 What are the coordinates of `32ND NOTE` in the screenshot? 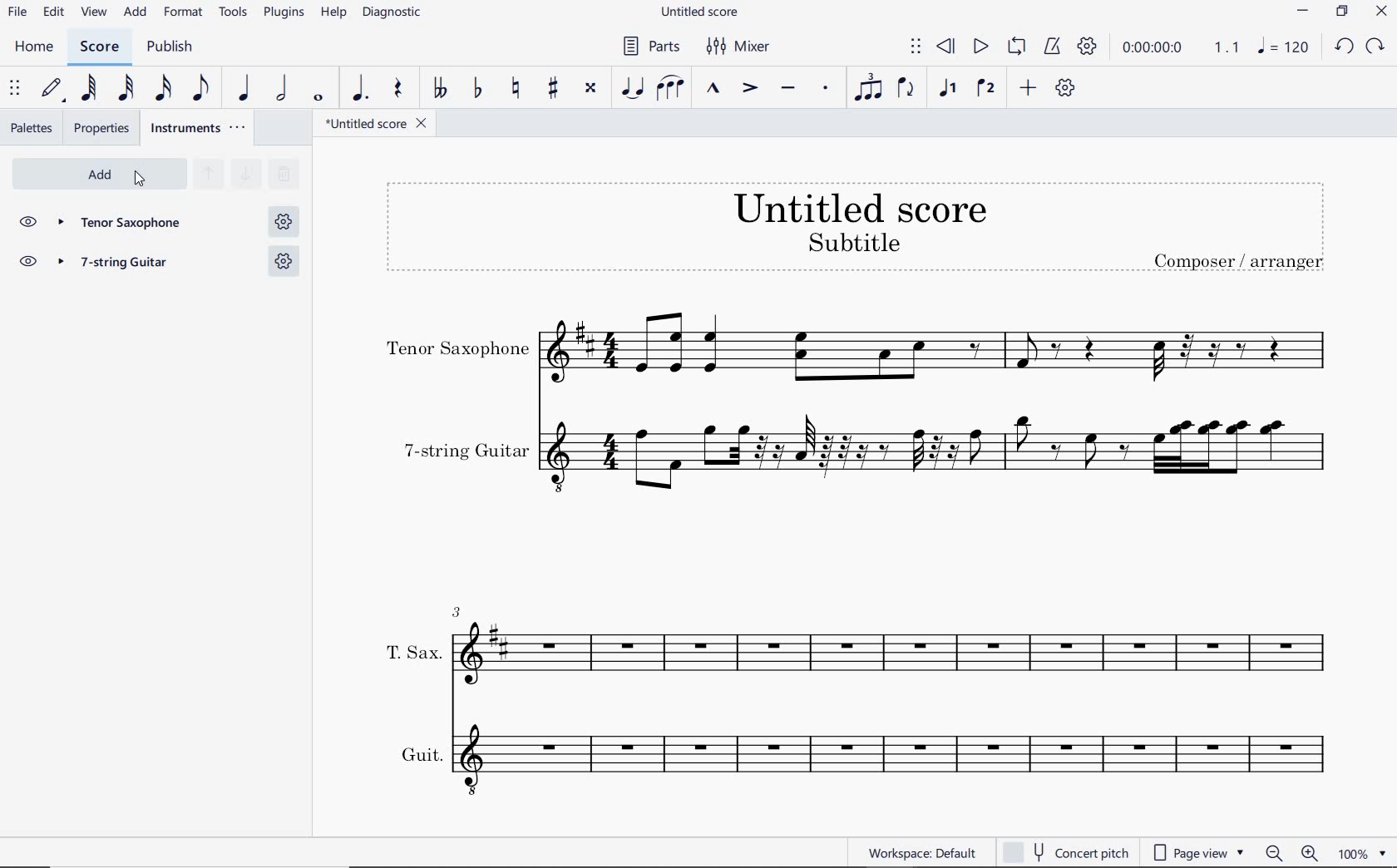 It's located at (128, 88).